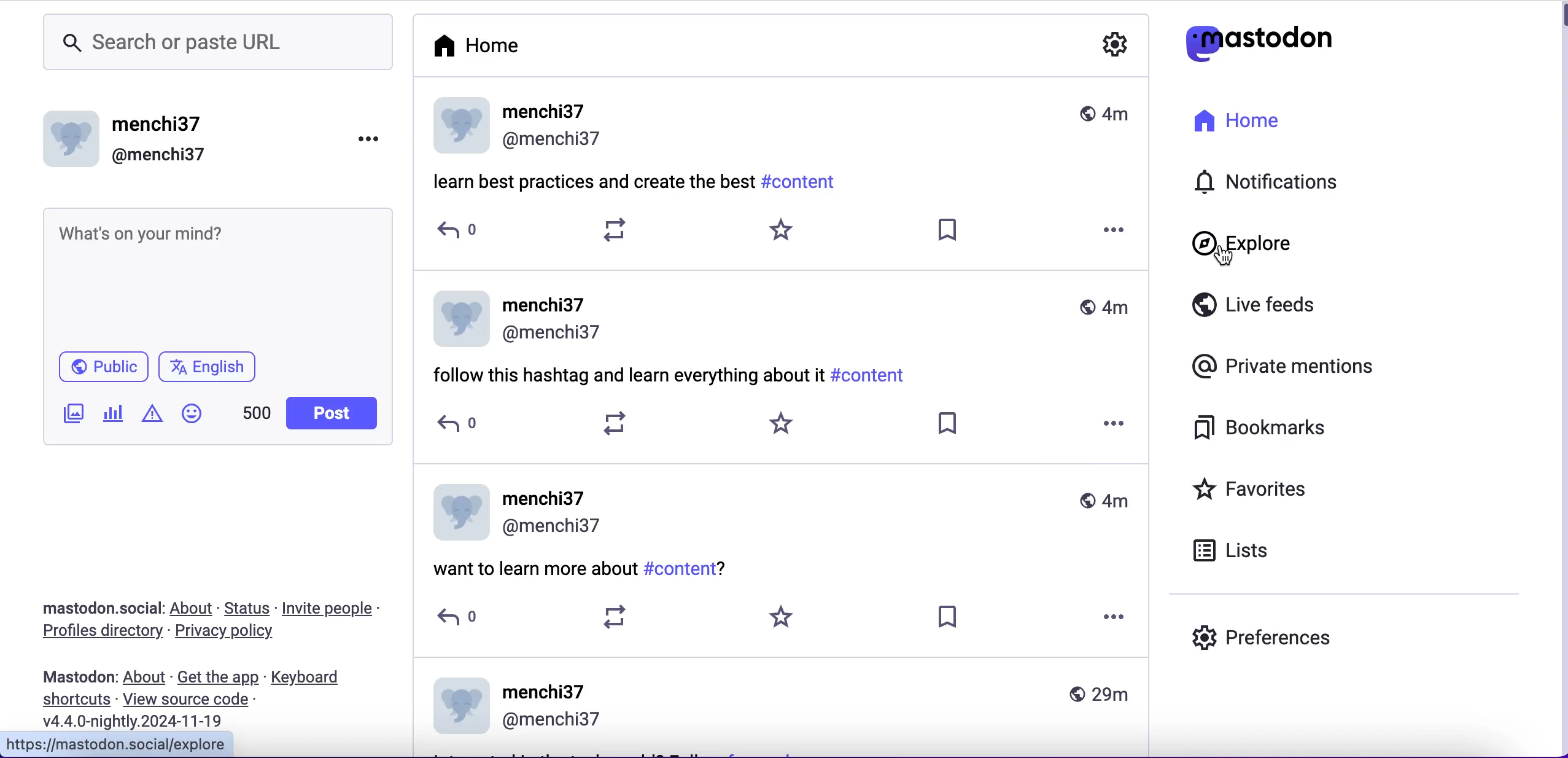 The height and width of the screenshot is (758, 1568). I want to click on mastodon.social, so click(101, 609).